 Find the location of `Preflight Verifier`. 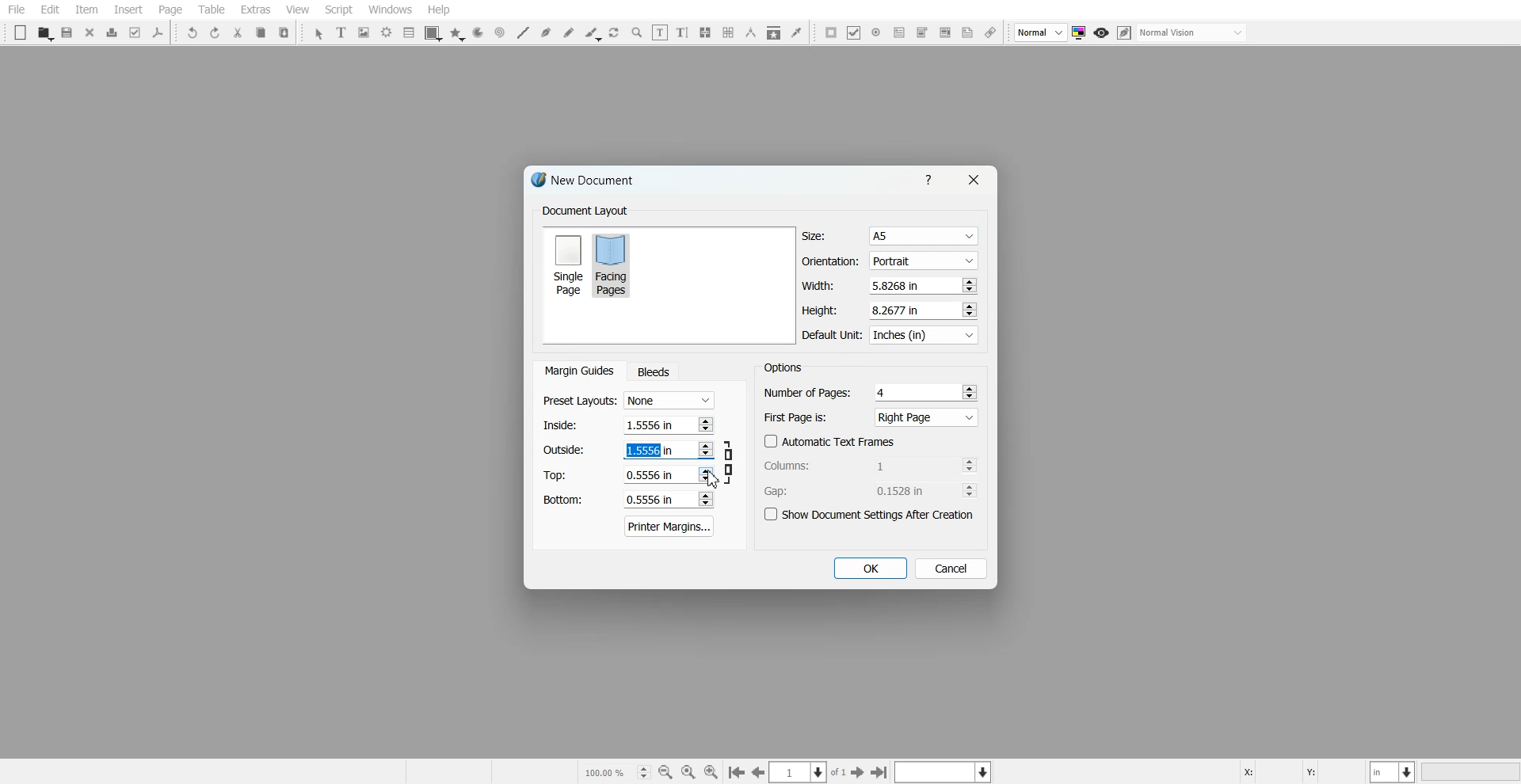

Preflight Verifier is located at coordinates (136, 32).